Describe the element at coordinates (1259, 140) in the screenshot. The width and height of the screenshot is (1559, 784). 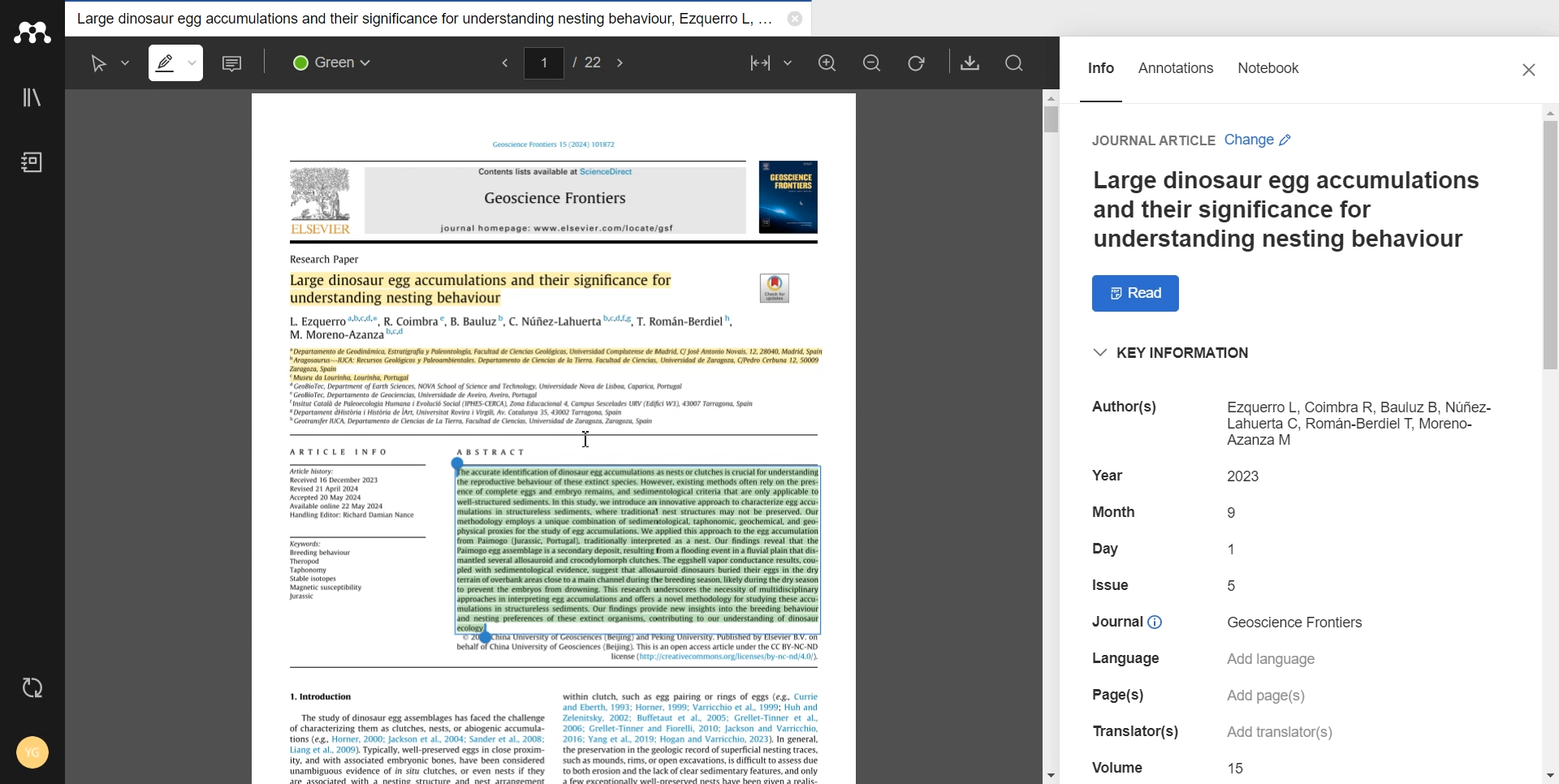
I see `change` at that location.